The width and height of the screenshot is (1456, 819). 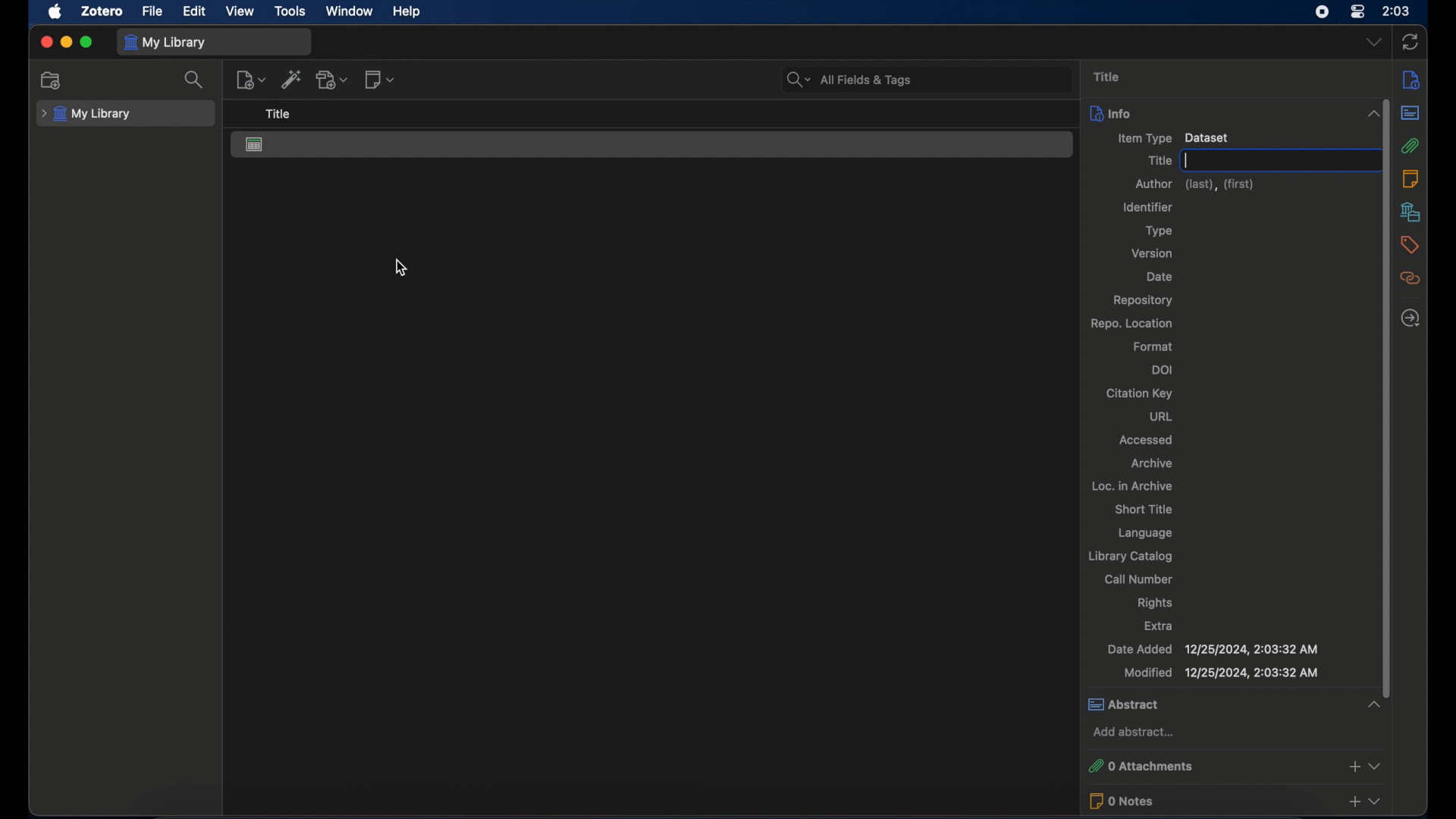 I want to click on doi, so click(x=1163, y=369).